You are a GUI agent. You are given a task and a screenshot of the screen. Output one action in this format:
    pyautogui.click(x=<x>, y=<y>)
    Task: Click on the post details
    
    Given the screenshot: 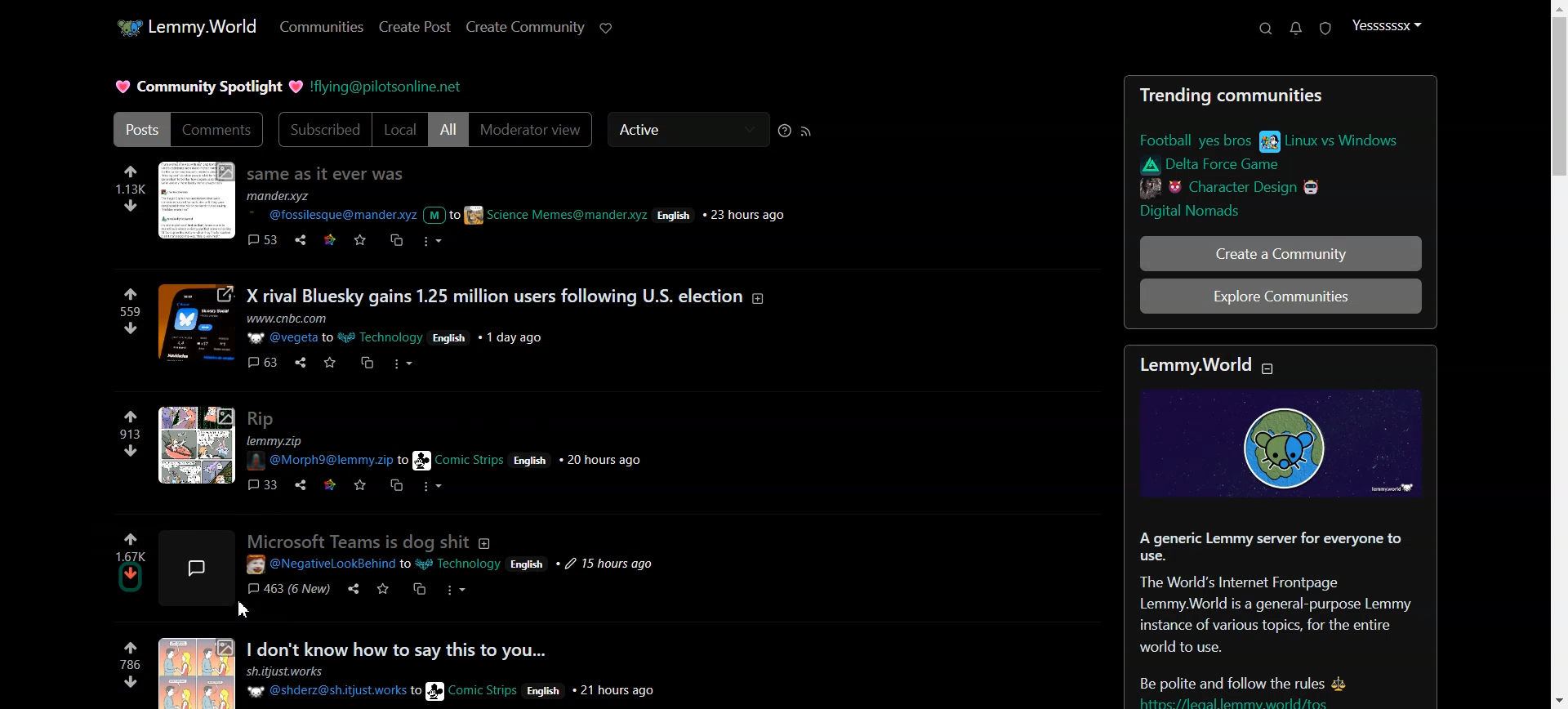 What is the action you would take?
    pyautogui.click(x=456, y=566)
    